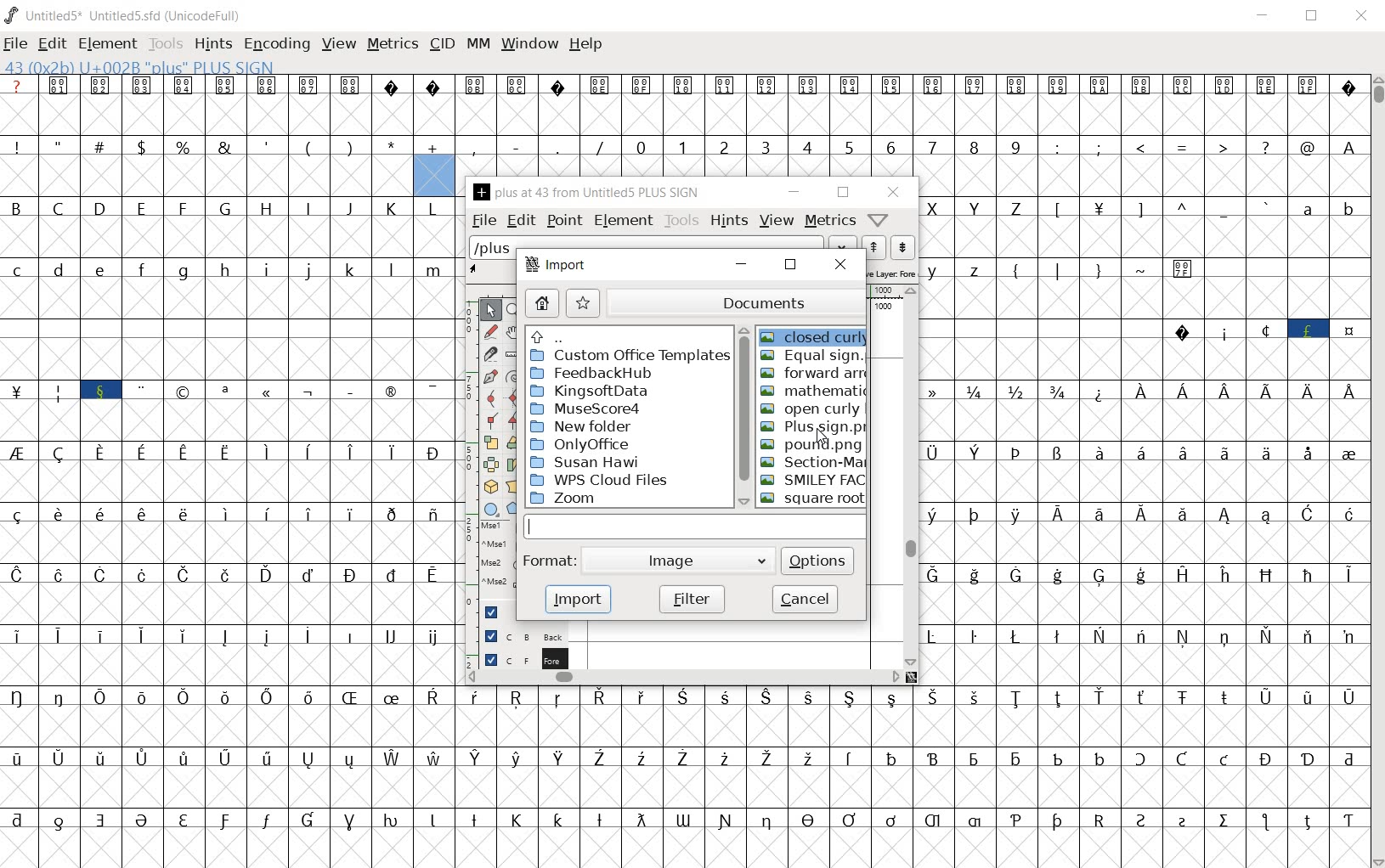  Describe the element at coordinates (512, 420) in the screenshot. I see `Add a corner point` at that location.